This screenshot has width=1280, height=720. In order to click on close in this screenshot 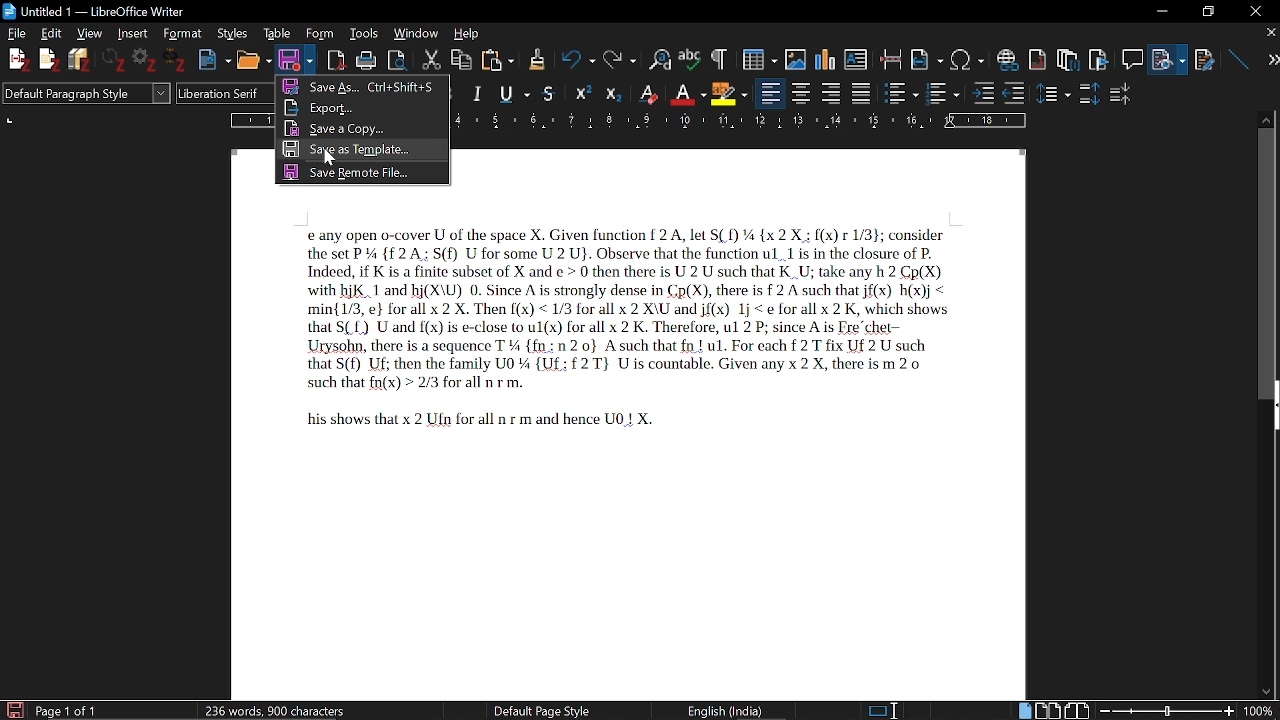, I will do `click(1269, 34)`.